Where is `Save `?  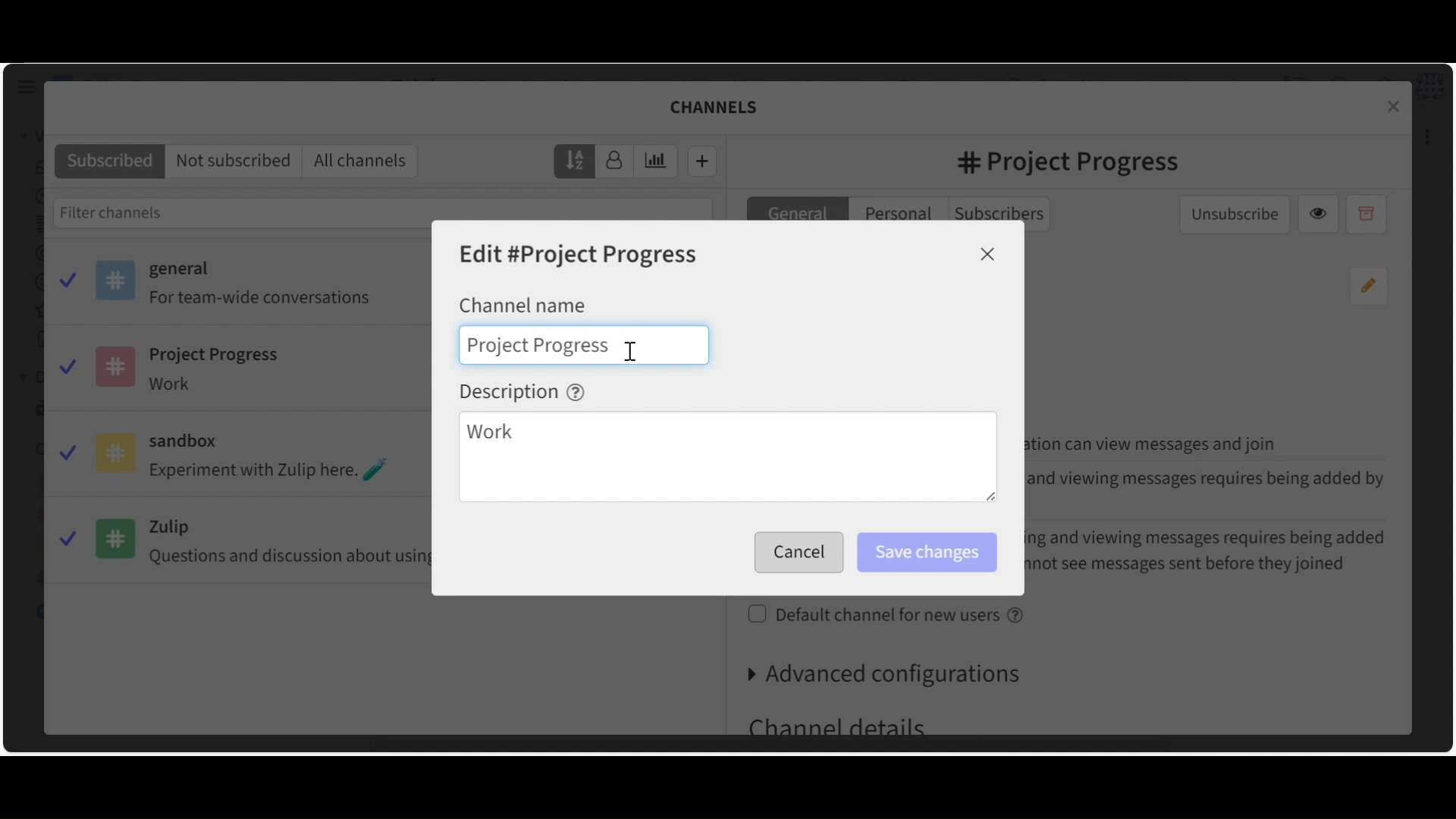
Save  is located at coordinates (795, 553).